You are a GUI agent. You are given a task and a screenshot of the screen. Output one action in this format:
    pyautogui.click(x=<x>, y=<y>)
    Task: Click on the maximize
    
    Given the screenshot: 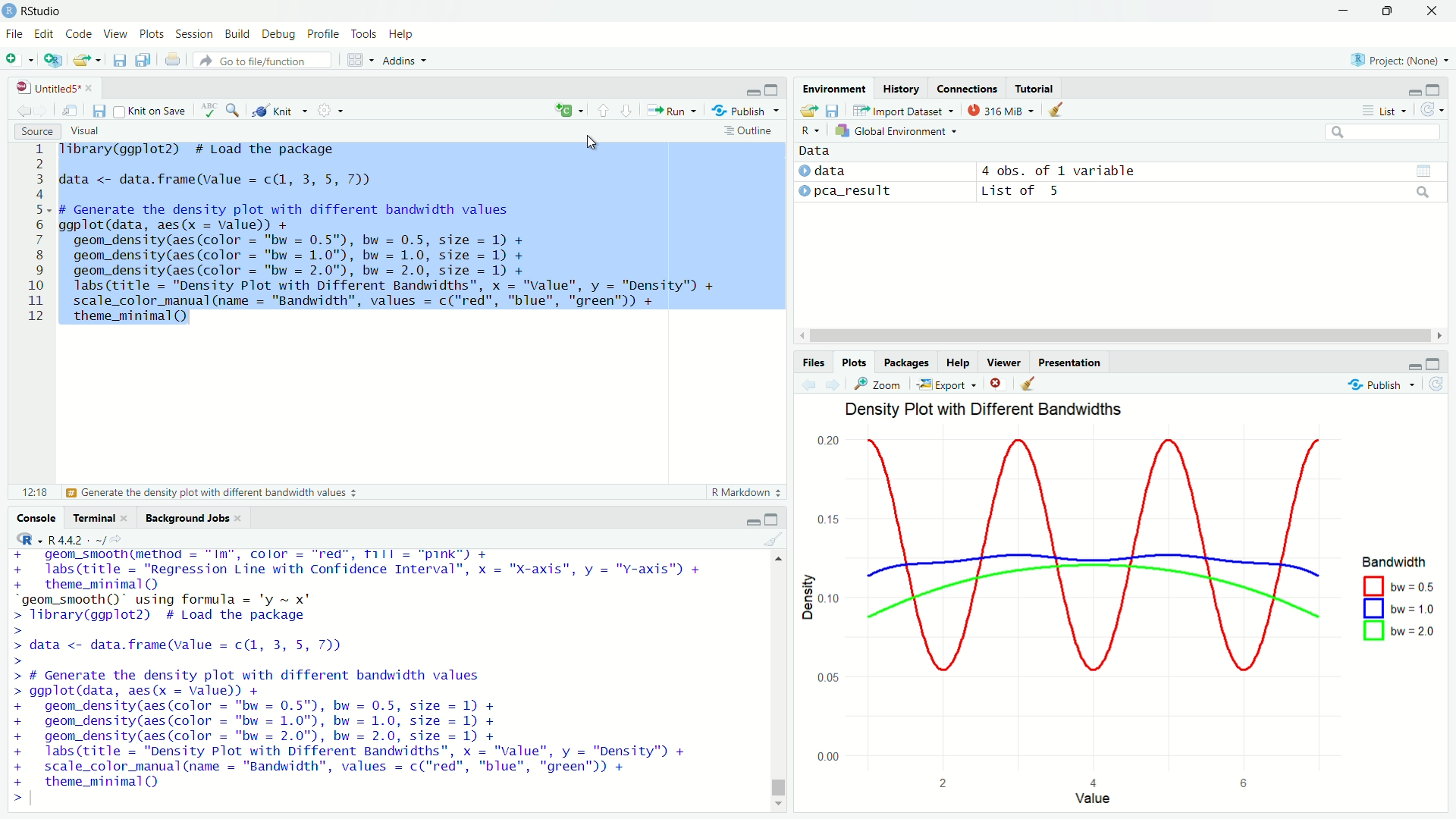 What is the action you would take?
    pyautogui.click(x=773, y=89)
    